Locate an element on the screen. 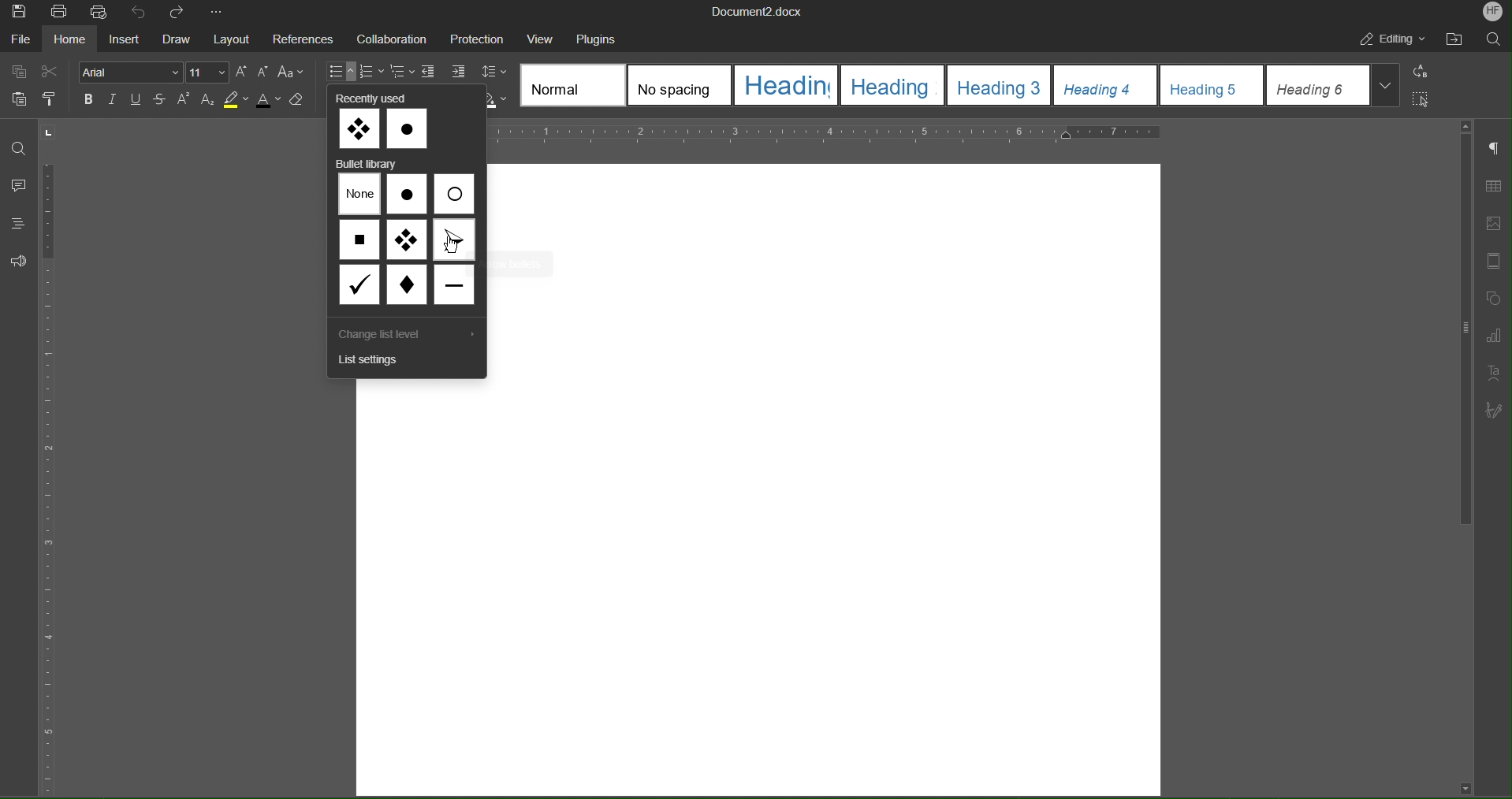 The image size is (1512, 799). Tick mark is located at coordinates (360, 284).